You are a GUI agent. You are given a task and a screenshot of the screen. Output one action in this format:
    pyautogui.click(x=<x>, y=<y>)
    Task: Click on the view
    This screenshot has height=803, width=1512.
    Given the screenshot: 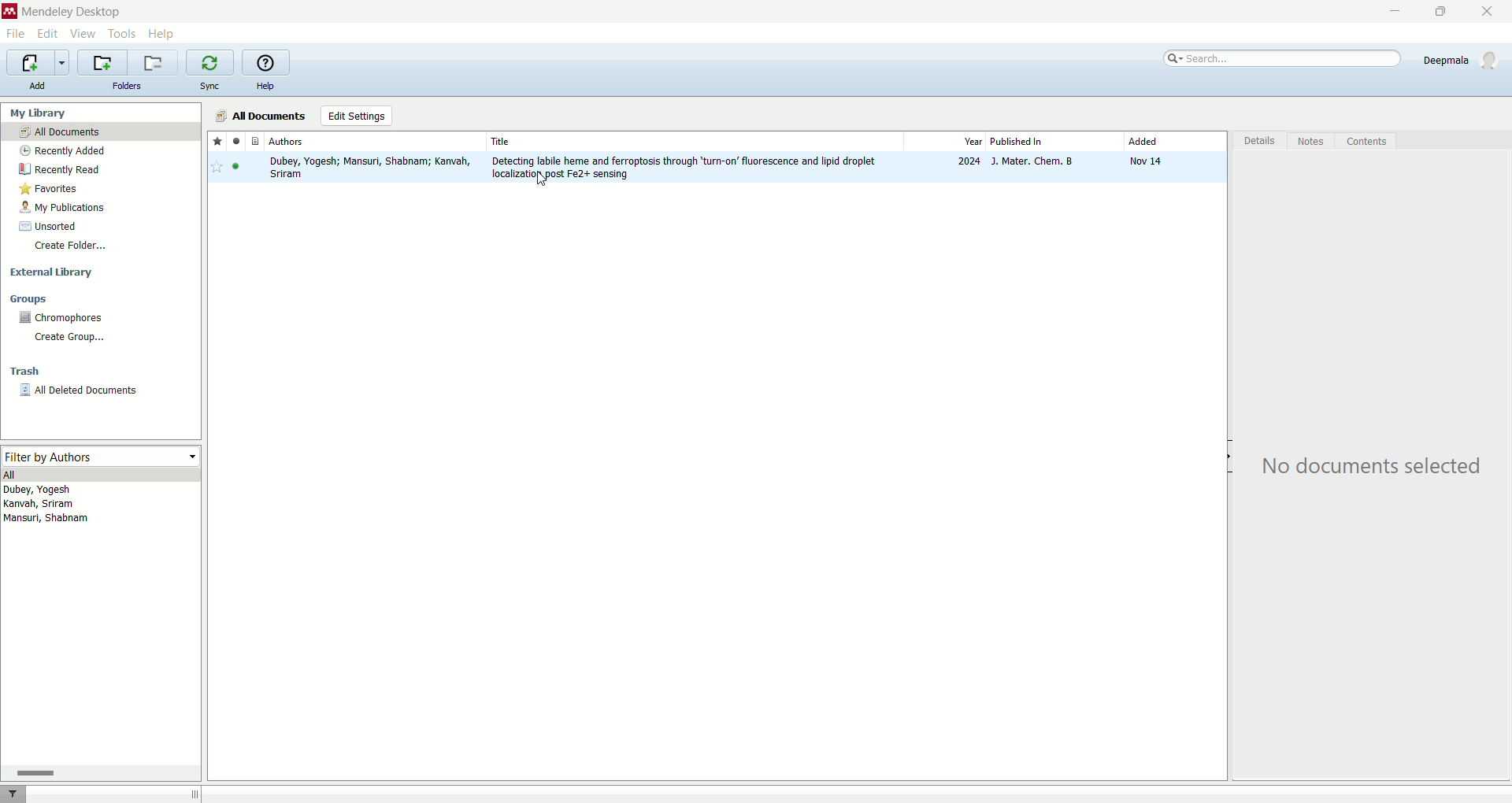 What is the action you would take?
    pyautogui.click(x=83, y=34)
    